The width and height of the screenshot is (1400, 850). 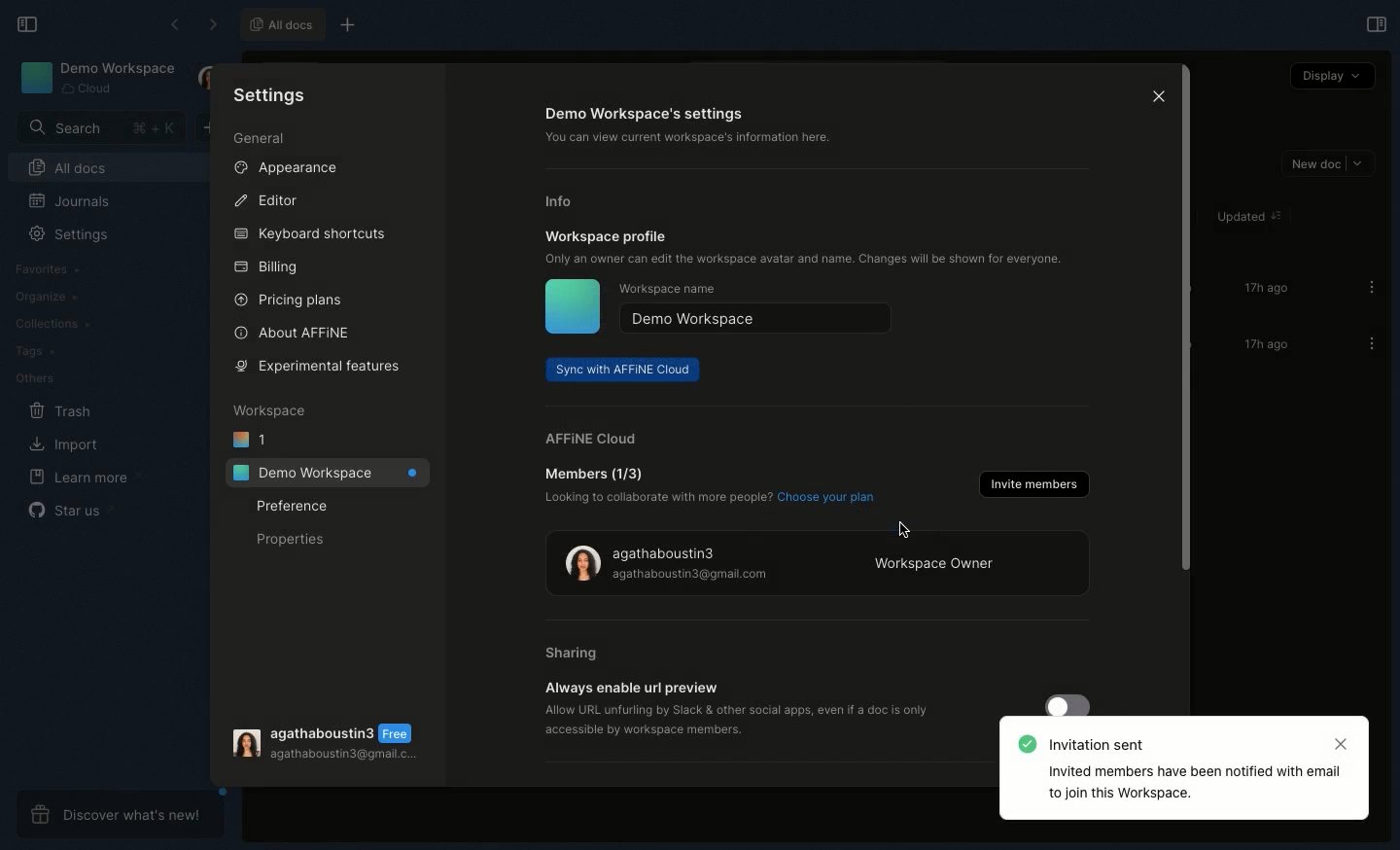 What do you see at coordinates (57, 409) in the screenshot?
I see `Trash` at bounding box center [57, 409].